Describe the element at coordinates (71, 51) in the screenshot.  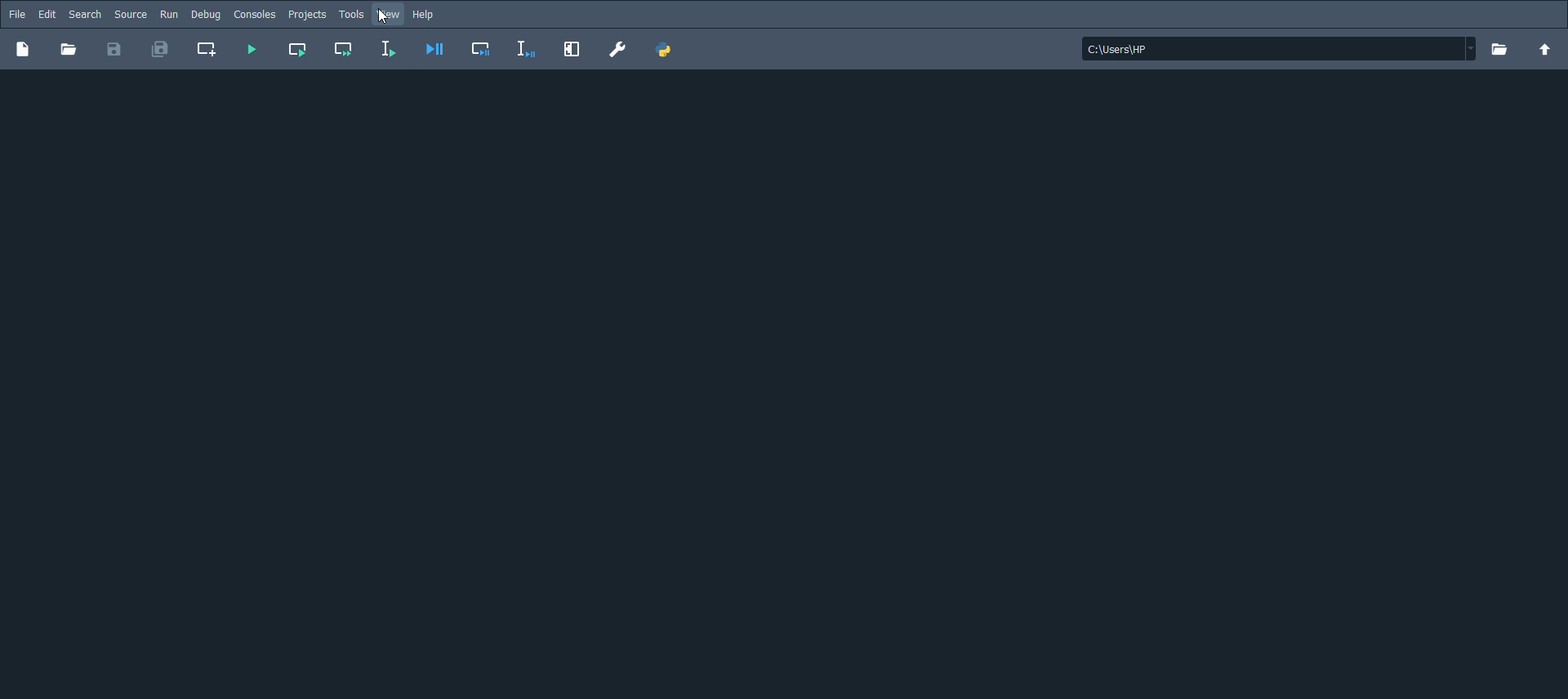
I see `Open file` at that location.